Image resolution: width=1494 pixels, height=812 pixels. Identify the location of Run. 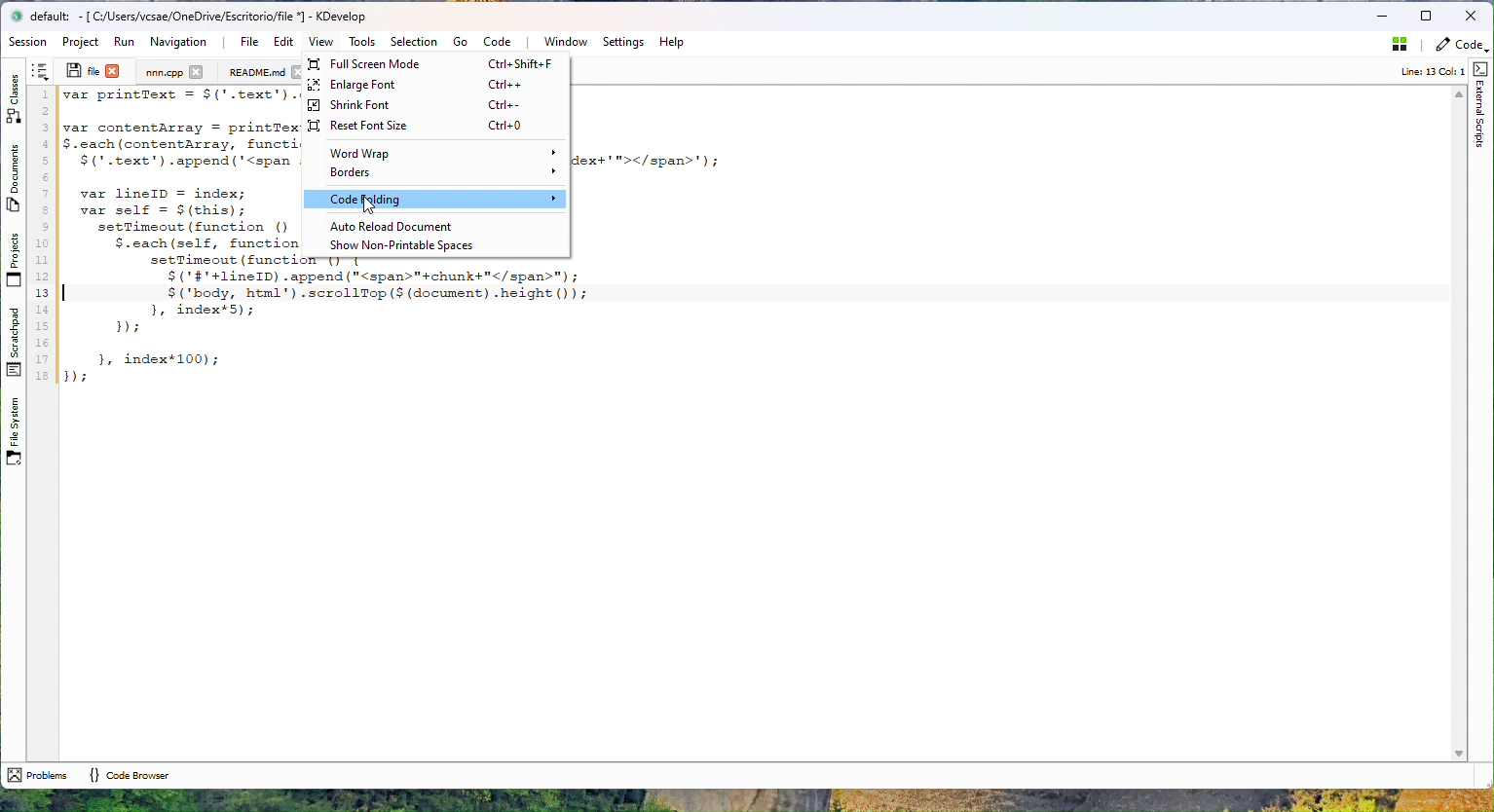
(124, 42).